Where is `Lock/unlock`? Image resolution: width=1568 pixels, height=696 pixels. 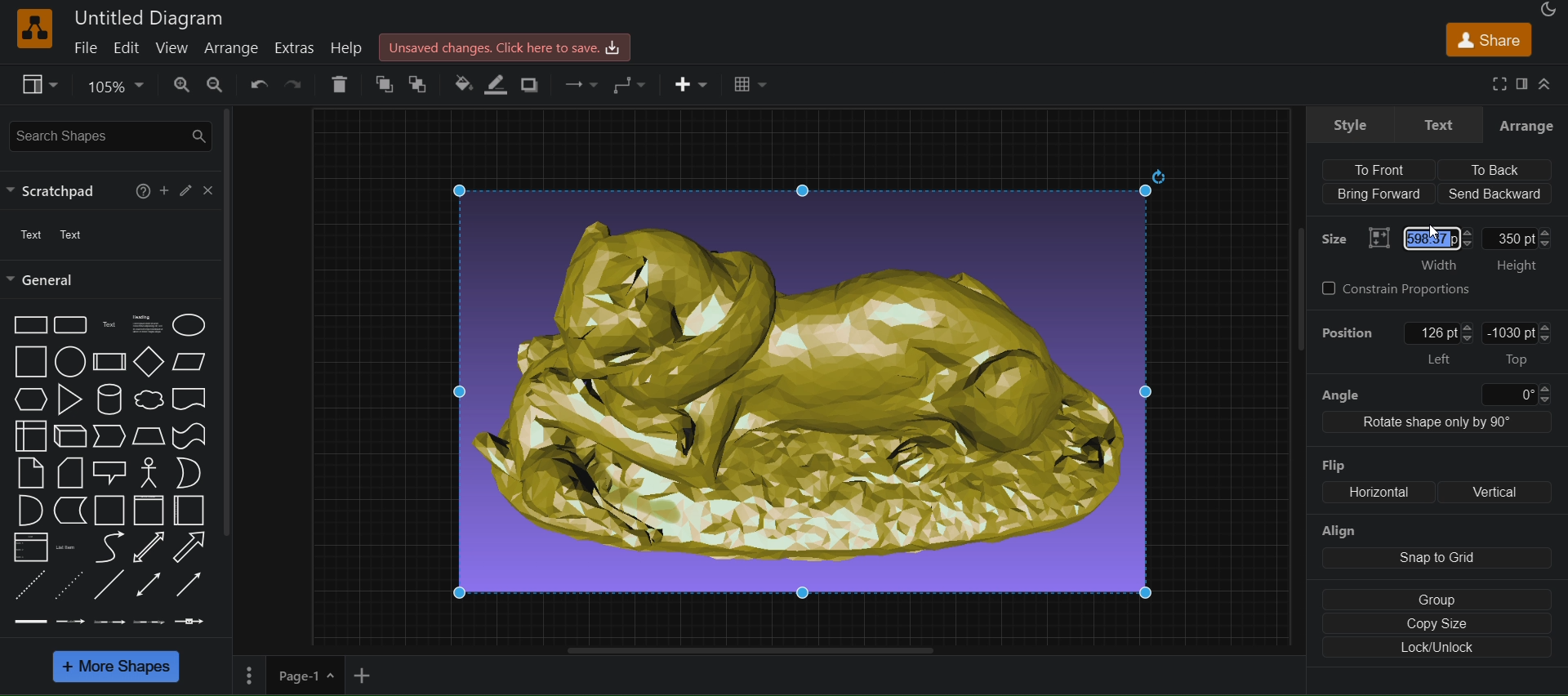 Lock/unlock is located at coordinates (1438, 649).